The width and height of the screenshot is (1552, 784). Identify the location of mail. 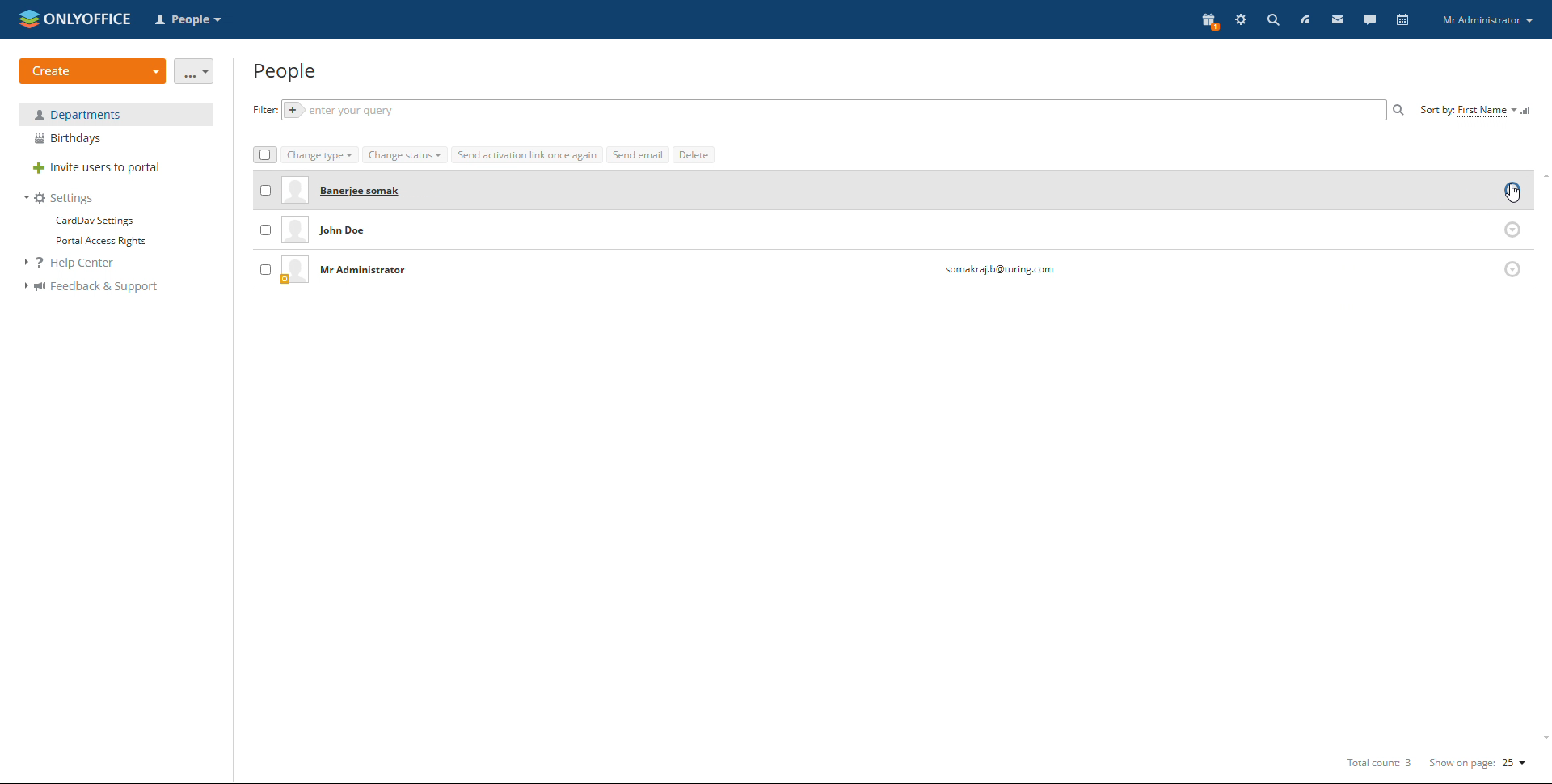
(1336, 19).